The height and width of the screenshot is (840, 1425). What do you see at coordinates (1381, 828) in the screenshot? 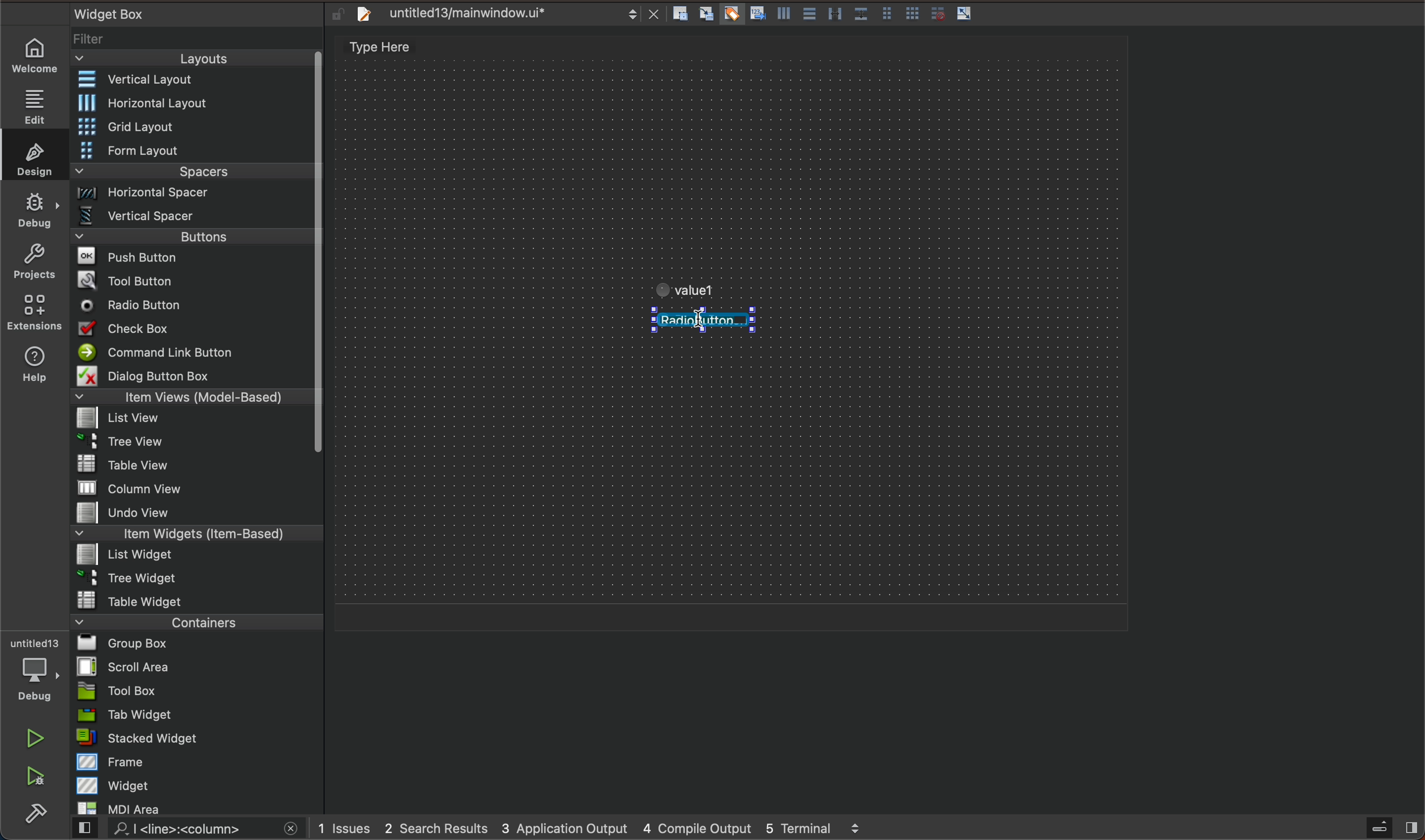
I see `sidebar ` at bounding box center [1381, 828].